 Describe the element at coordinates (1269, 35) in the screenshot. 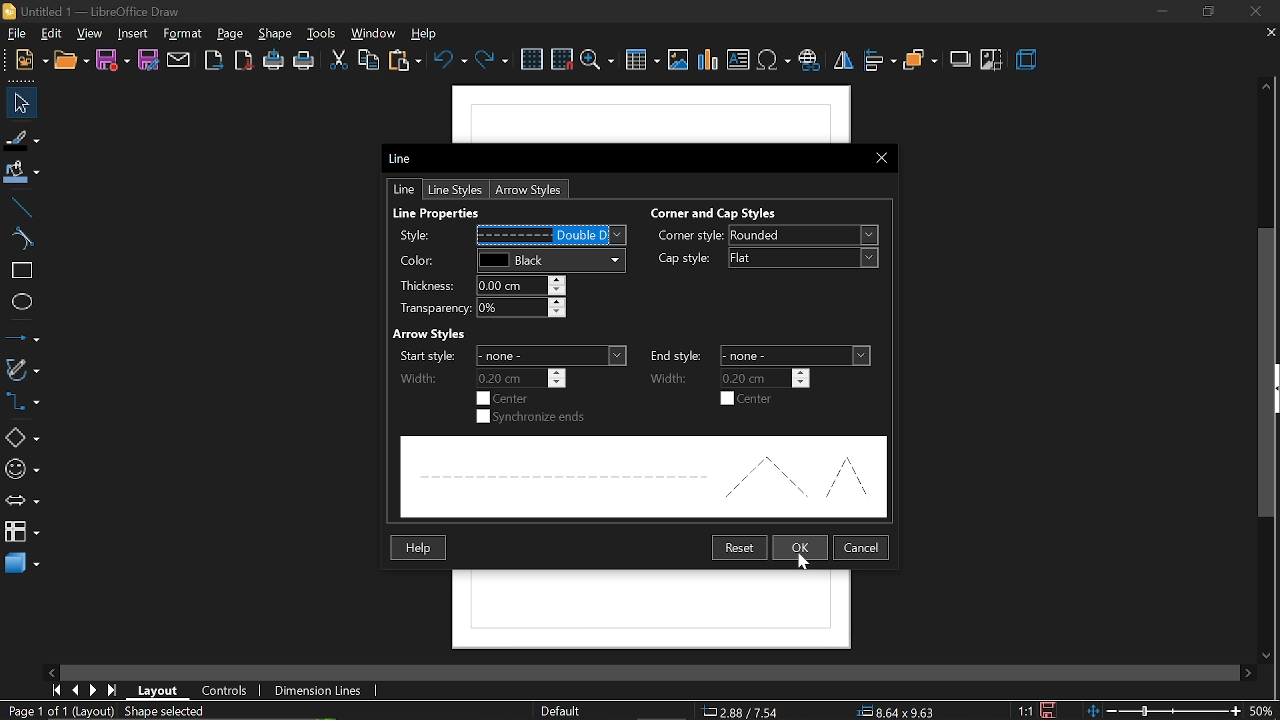

I see `close current tab` at that location.